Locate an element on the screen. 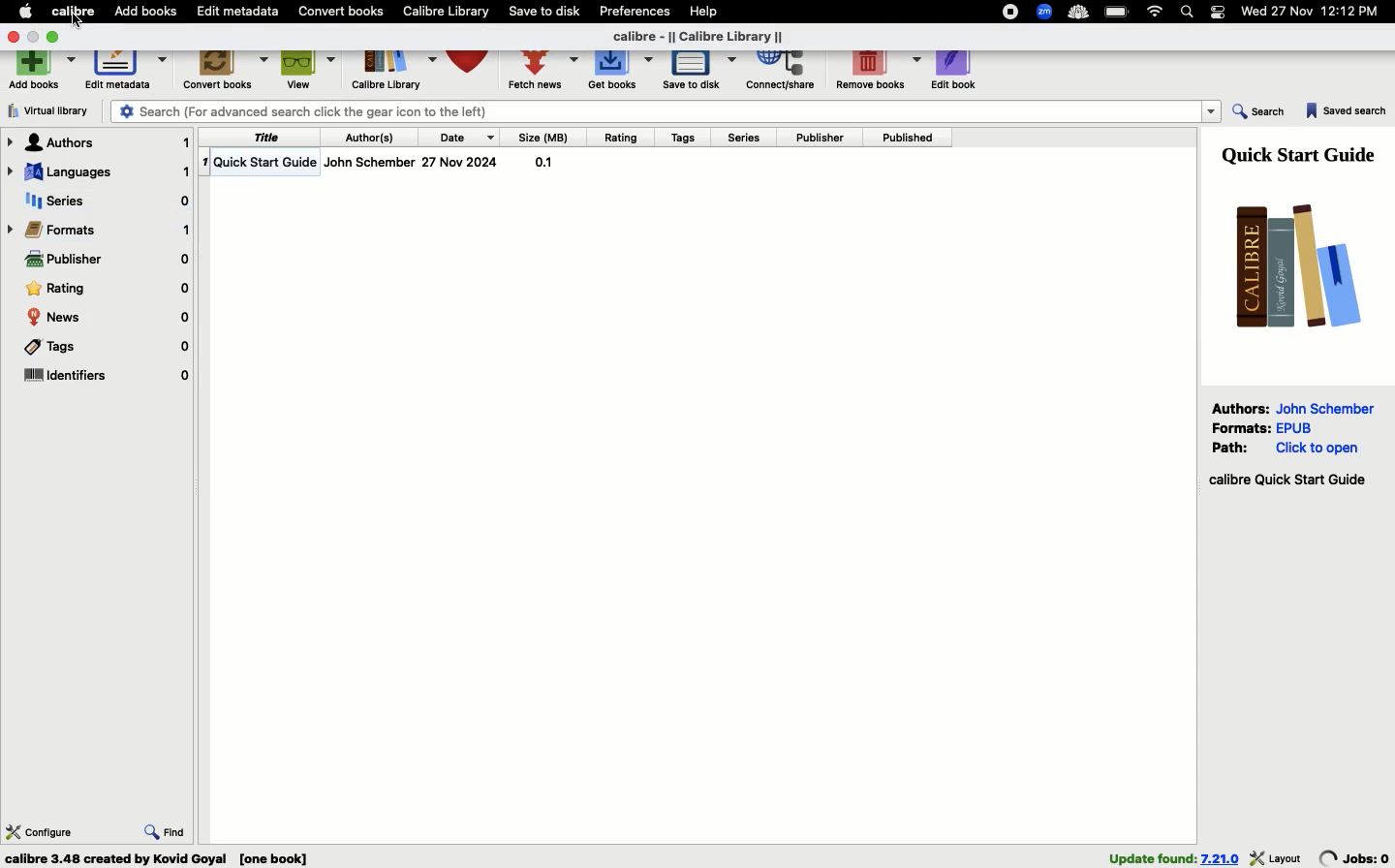 This screenshot has height=868, width=1395. date is located at coordinates (461, 161).